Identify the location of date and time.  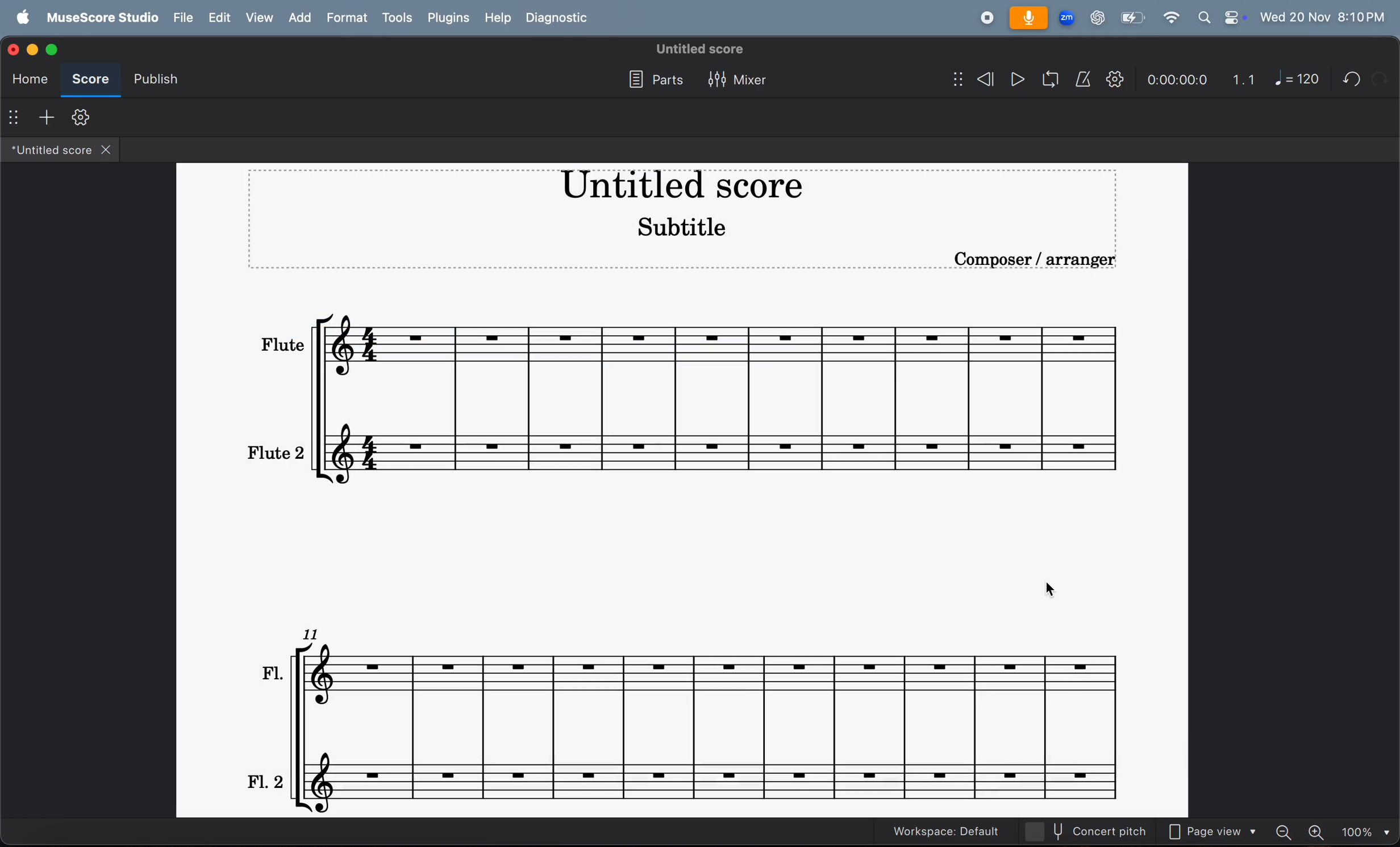
(1323, 18).